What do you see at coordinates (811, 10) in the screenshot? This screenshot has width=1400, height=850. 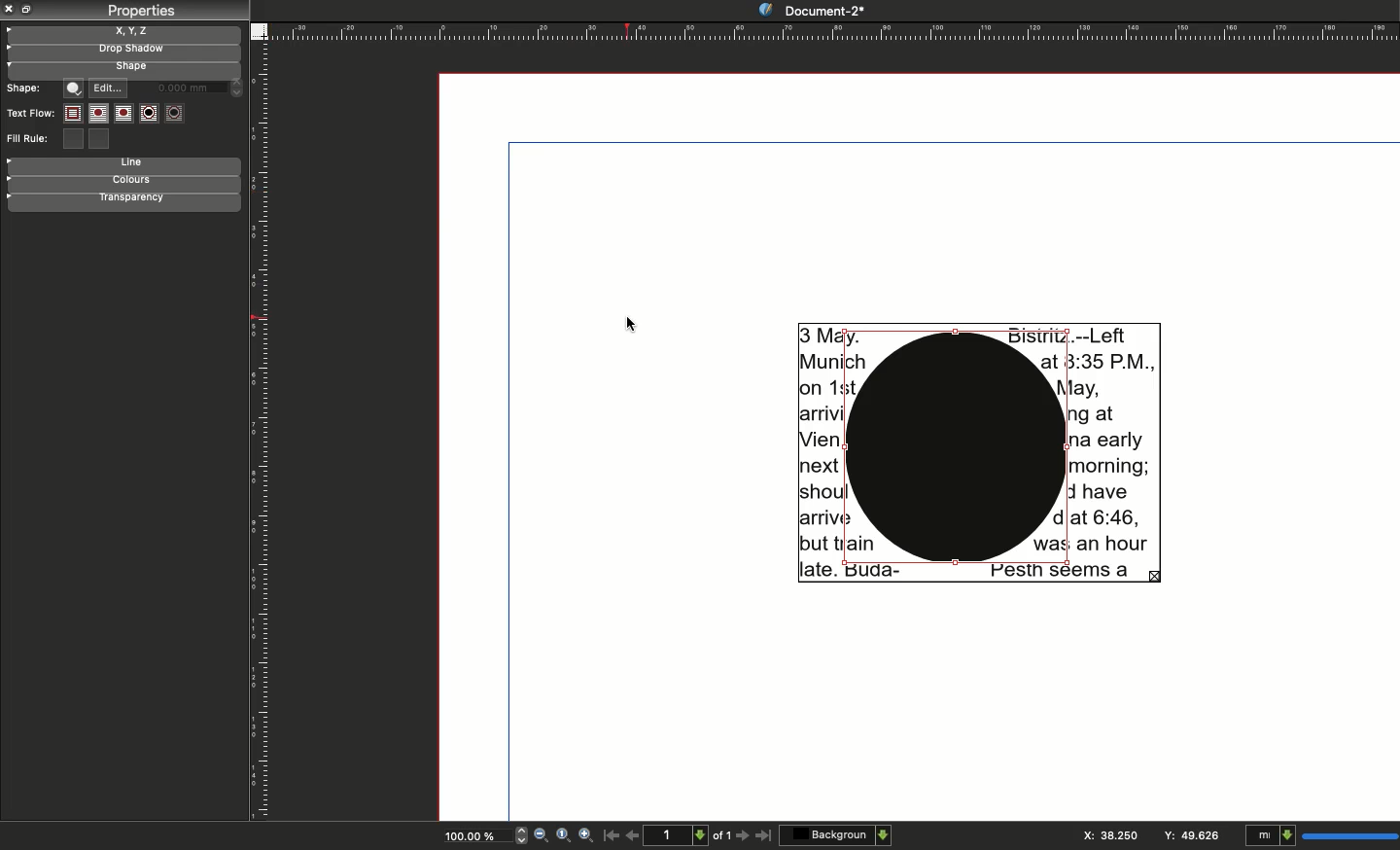 I see `Document-2*` at bounding box center [811, 10].